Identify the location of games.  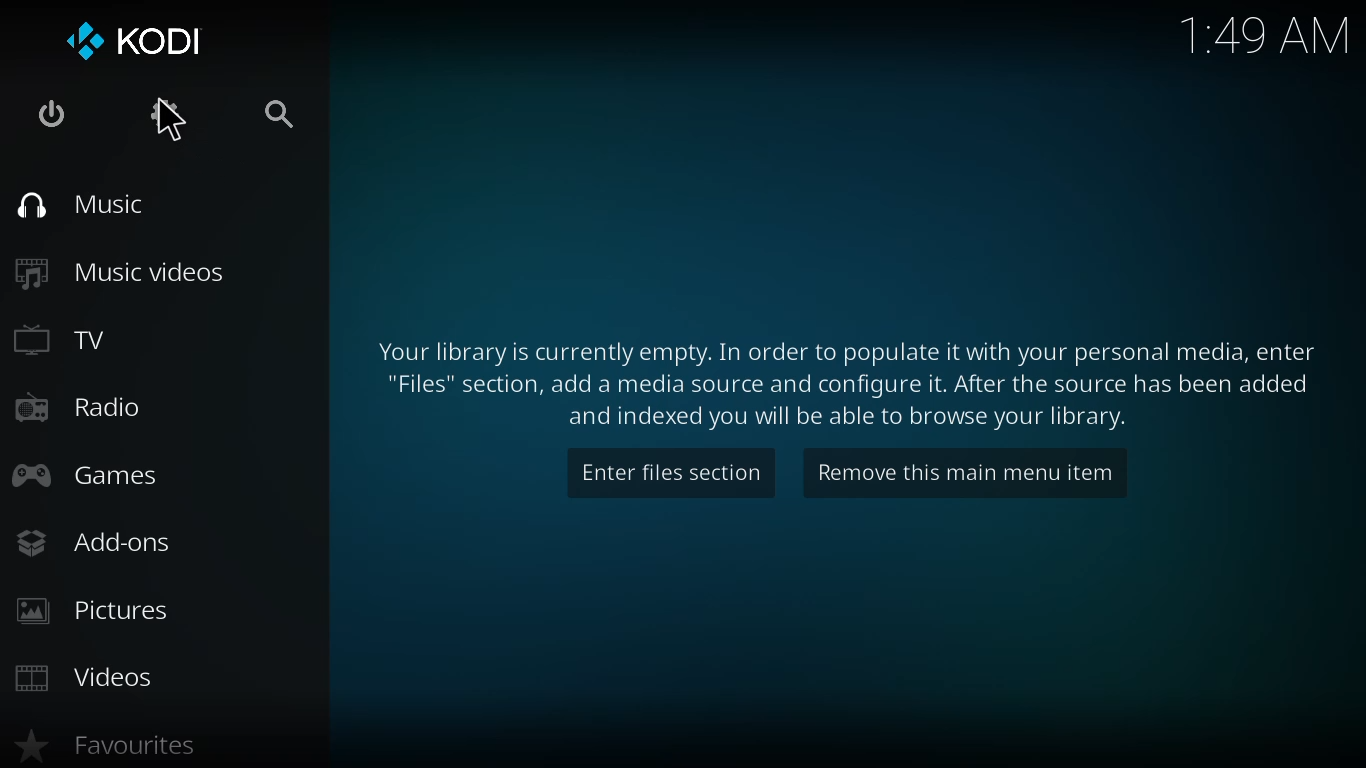
(89, 476).